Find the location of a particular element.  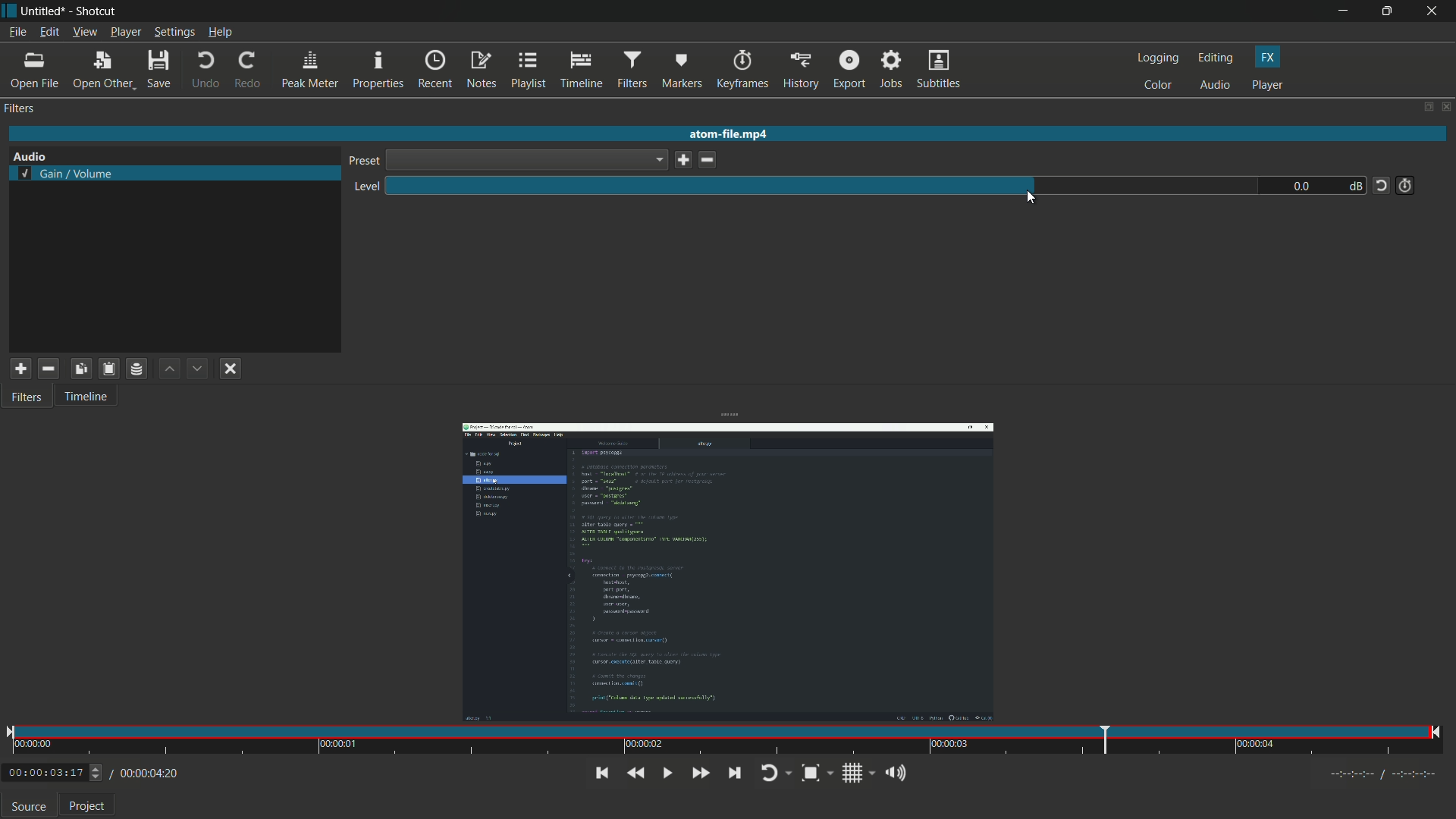

Project is located at coordinates (86, 807).